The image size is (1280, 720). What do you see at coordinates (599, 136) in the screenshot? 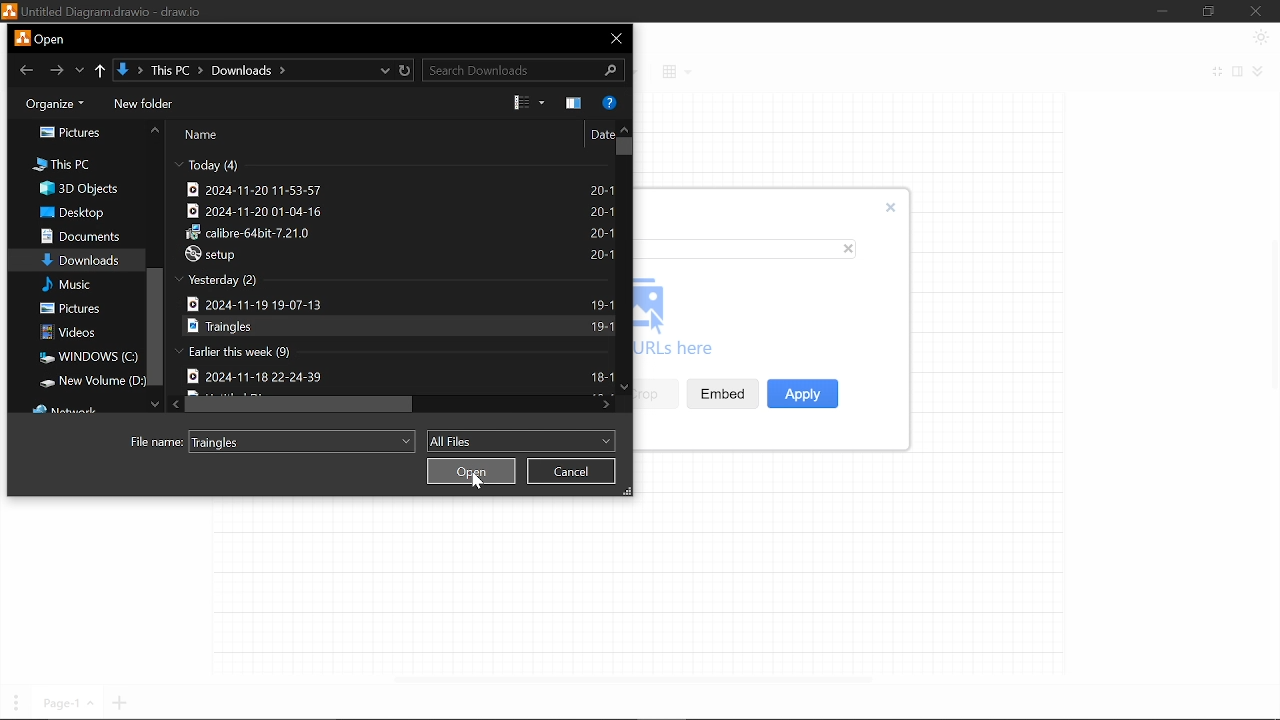
I see `Date` at bounding box center [599, 136].